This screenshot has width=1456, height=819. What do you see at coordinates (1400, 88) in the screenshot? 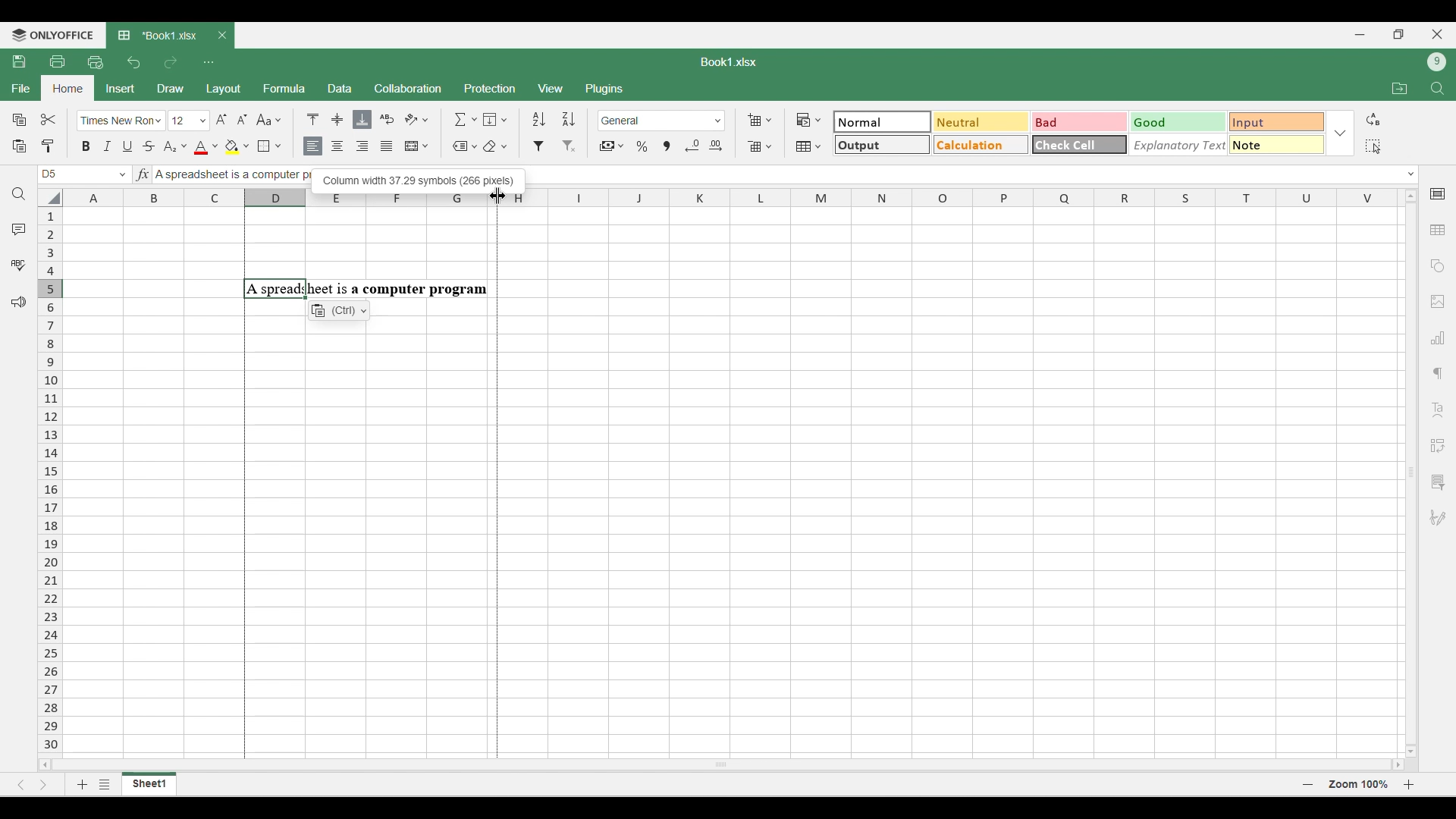
I see `Open file location` at bounding box center [1400, 88].